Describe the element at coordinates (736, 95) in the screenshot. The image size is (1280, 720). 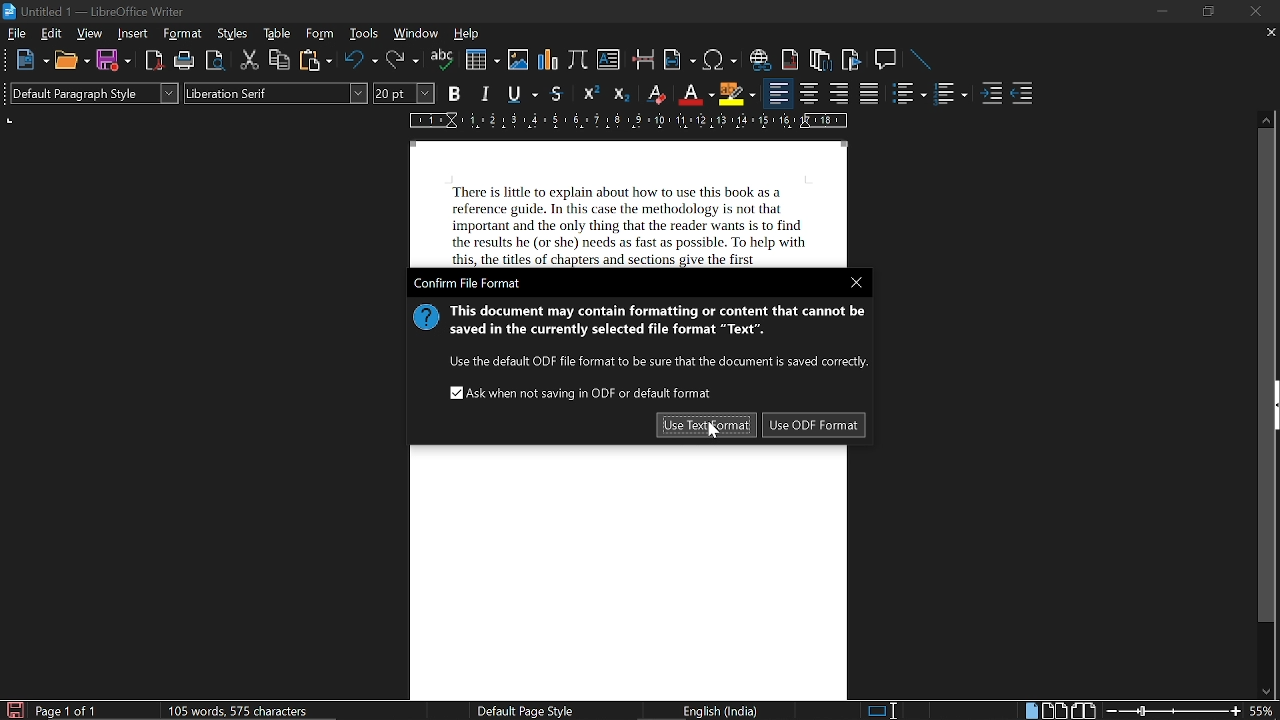
I see `highlight` at that location.